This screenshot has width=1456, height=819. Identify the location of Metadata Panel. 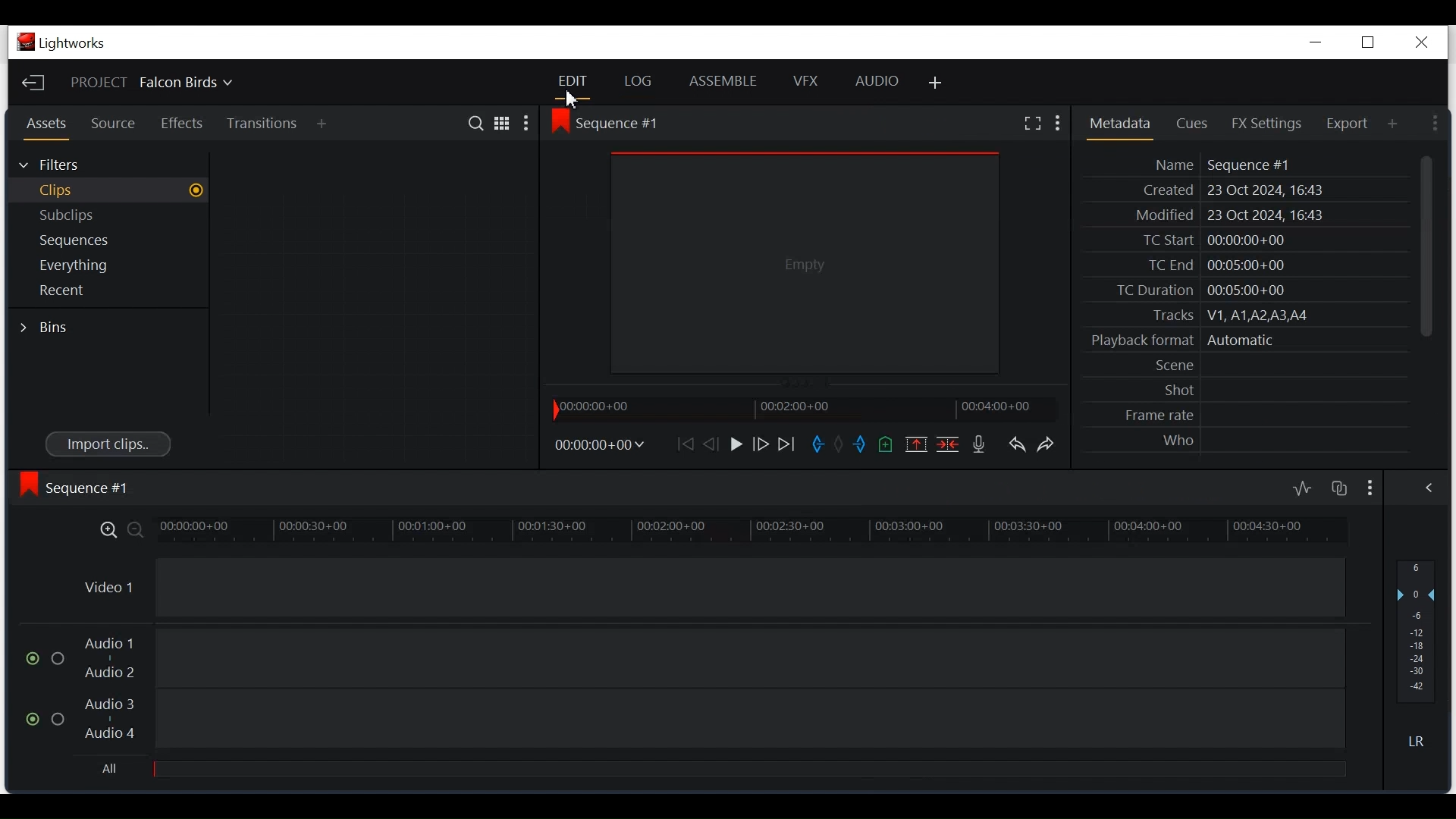
(1119, 124).